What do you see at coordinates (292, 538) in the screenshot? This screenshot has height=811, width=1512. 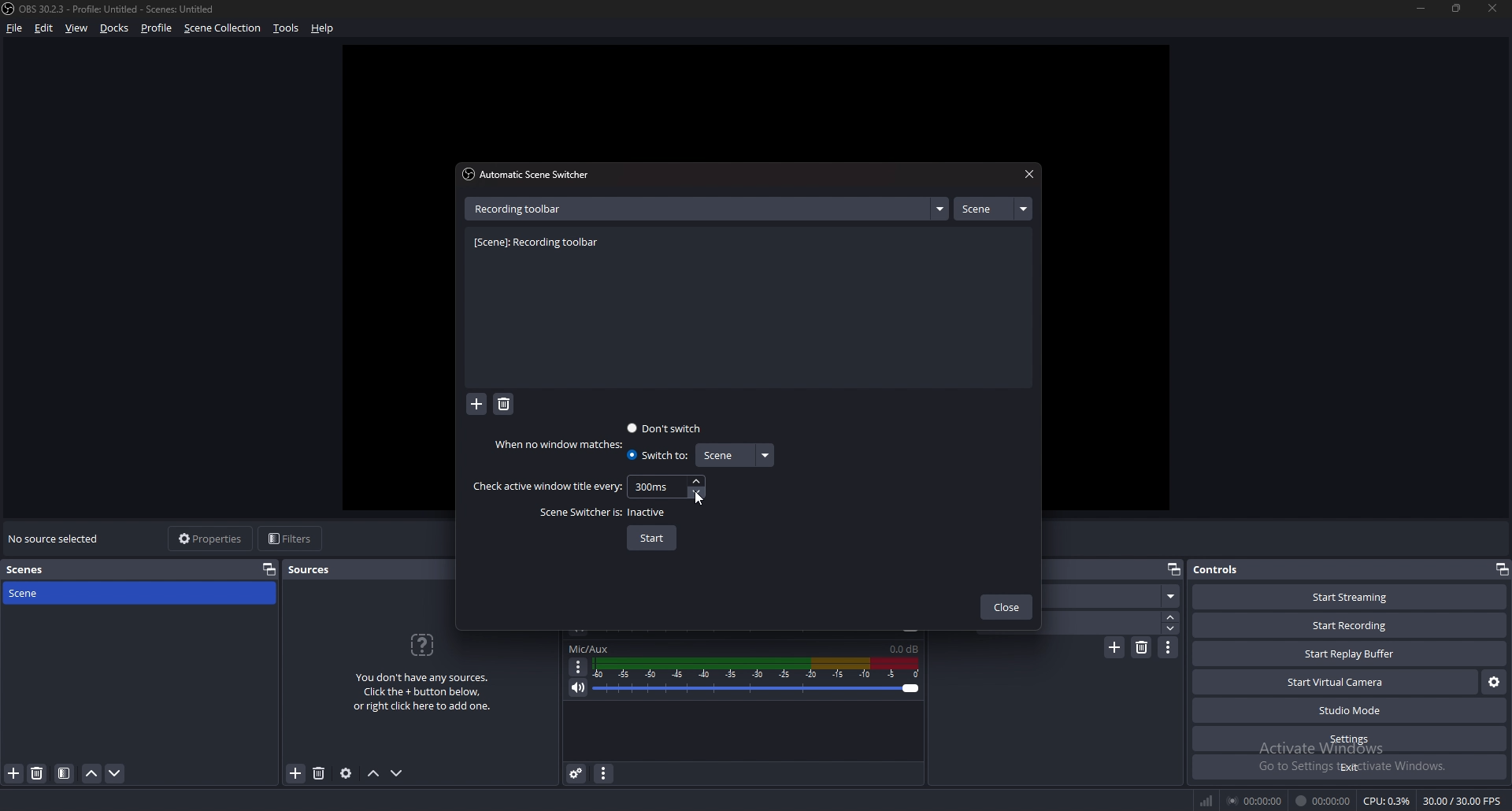 I see `filters` at bounding box center [292, 538].